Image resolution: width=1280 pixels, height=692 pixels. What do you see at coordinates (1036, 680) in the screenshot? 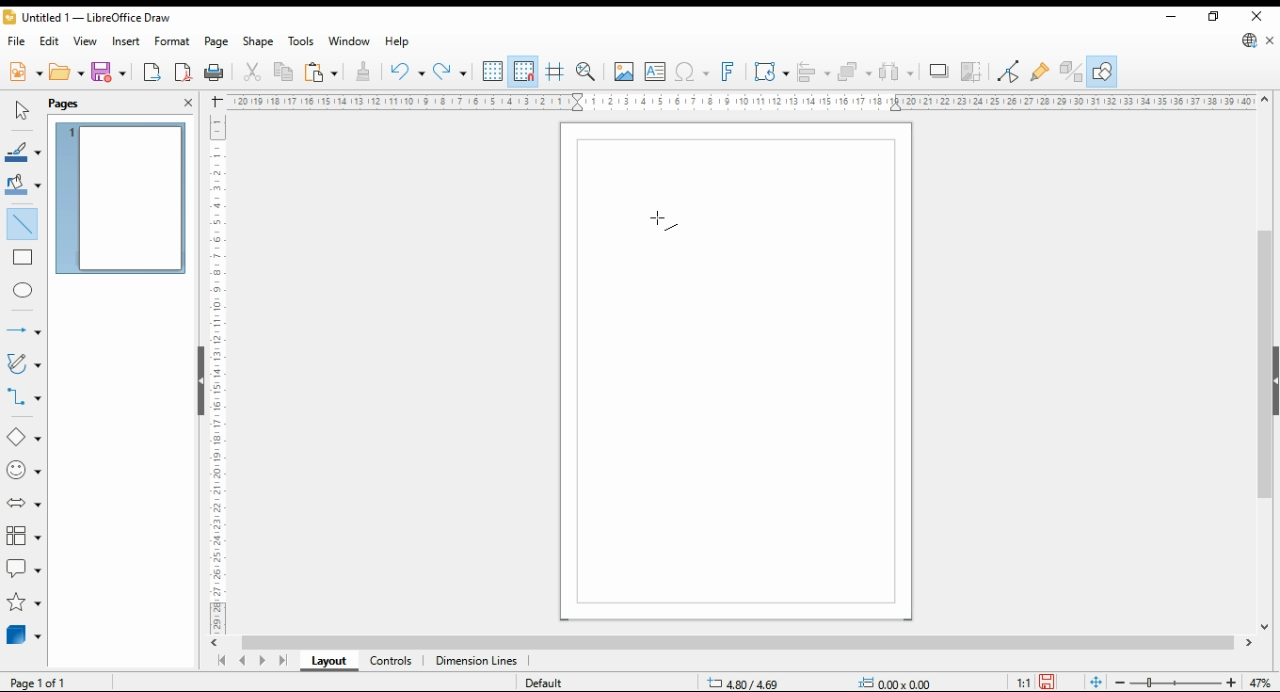
I see `1:1 ratio` at bounding box center [1036, 680].